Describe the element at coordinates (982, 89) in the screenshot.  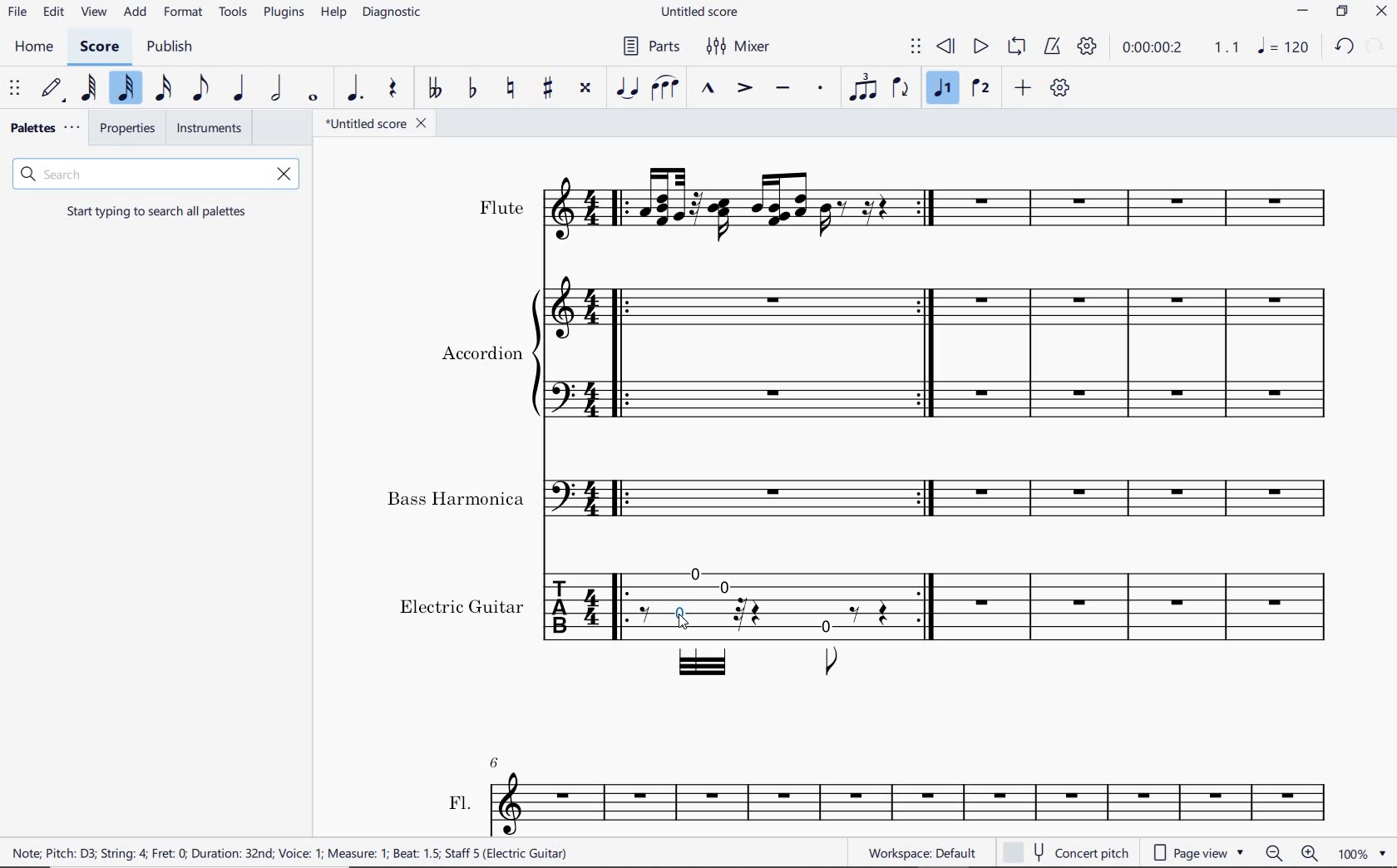
I see `voice 2` at that location.